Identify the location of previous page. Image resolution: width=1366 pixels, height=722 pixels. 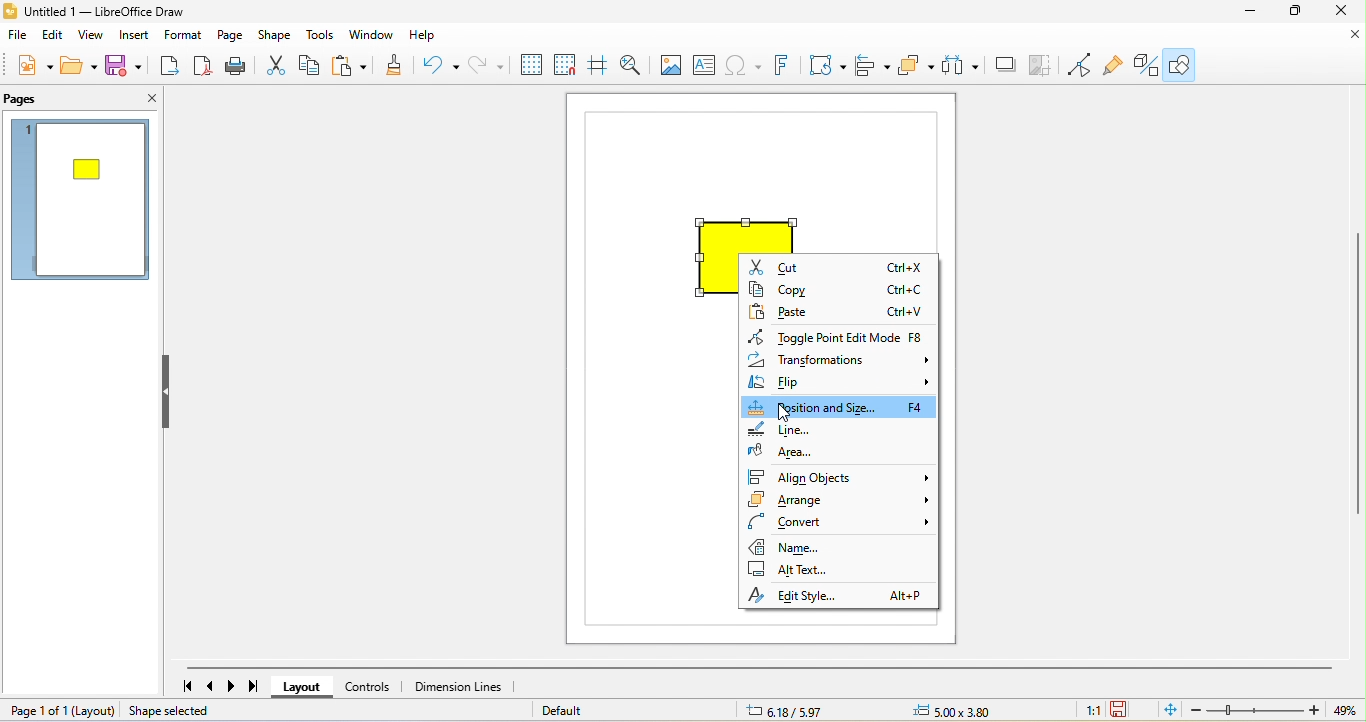
(211, 687).